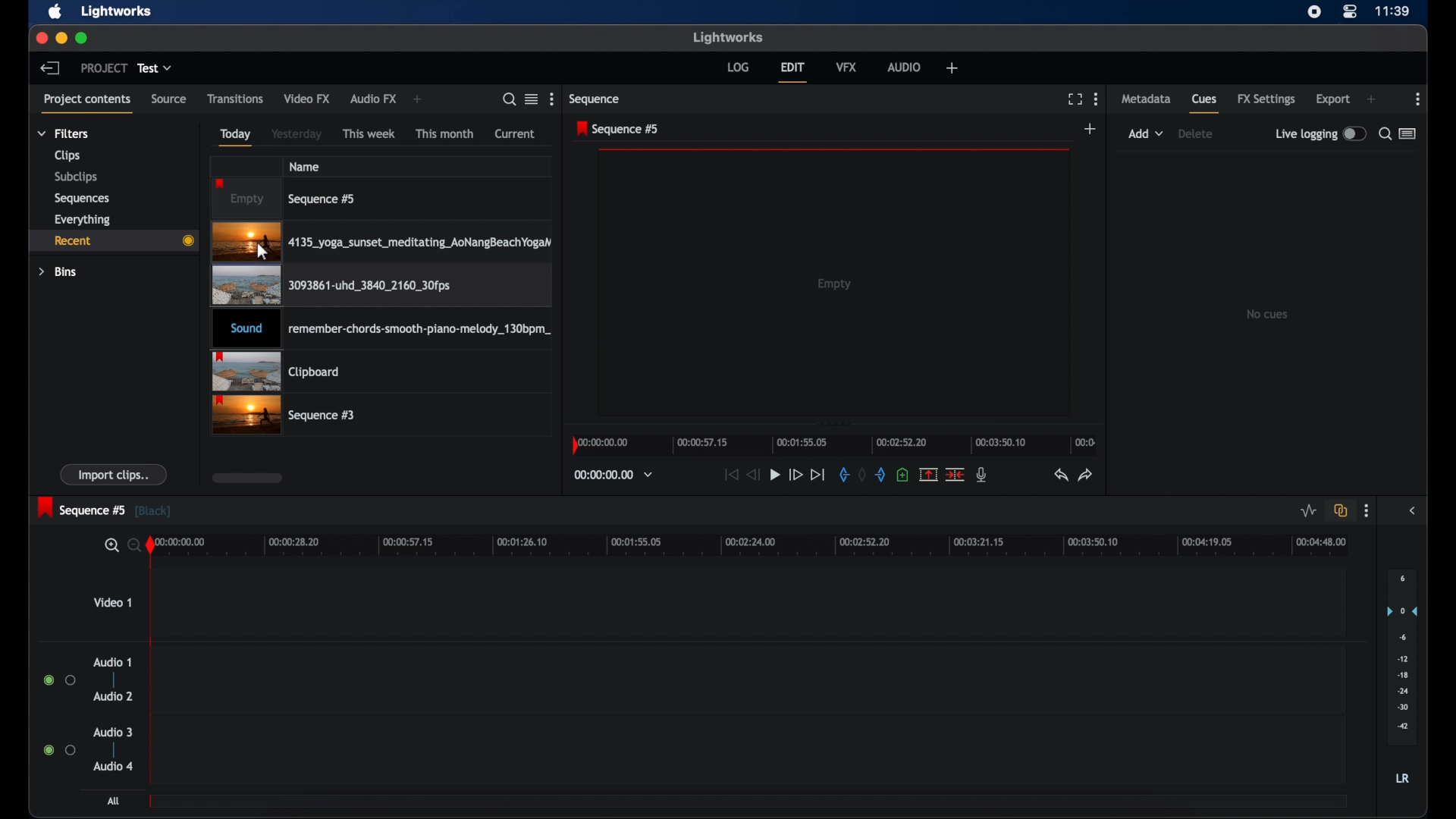 Image resolution: width=1456 pixels, height=819 pixels. Describe the element at coordinates (59, 273) in the screenshot. I see `bins` at that location.